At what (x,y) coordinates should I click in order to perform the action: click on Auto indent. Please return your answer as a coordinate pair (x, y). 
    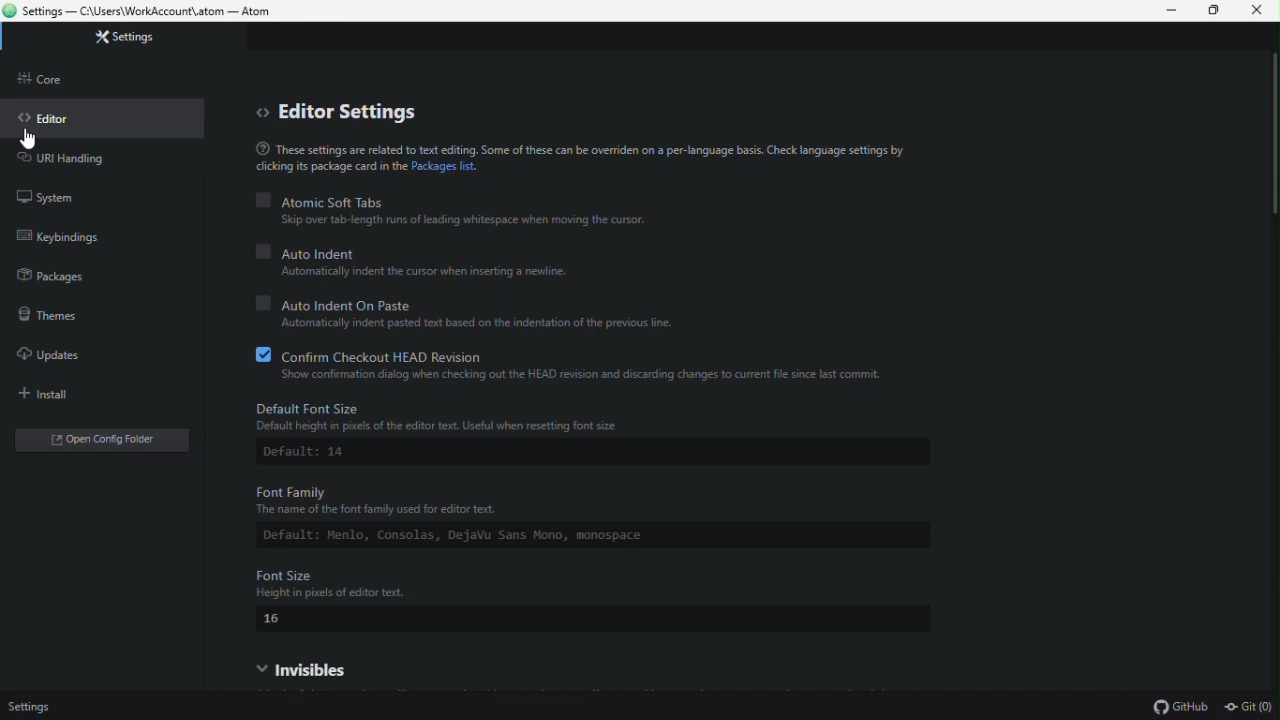
    Looking at the image, I should click on (421, 253).